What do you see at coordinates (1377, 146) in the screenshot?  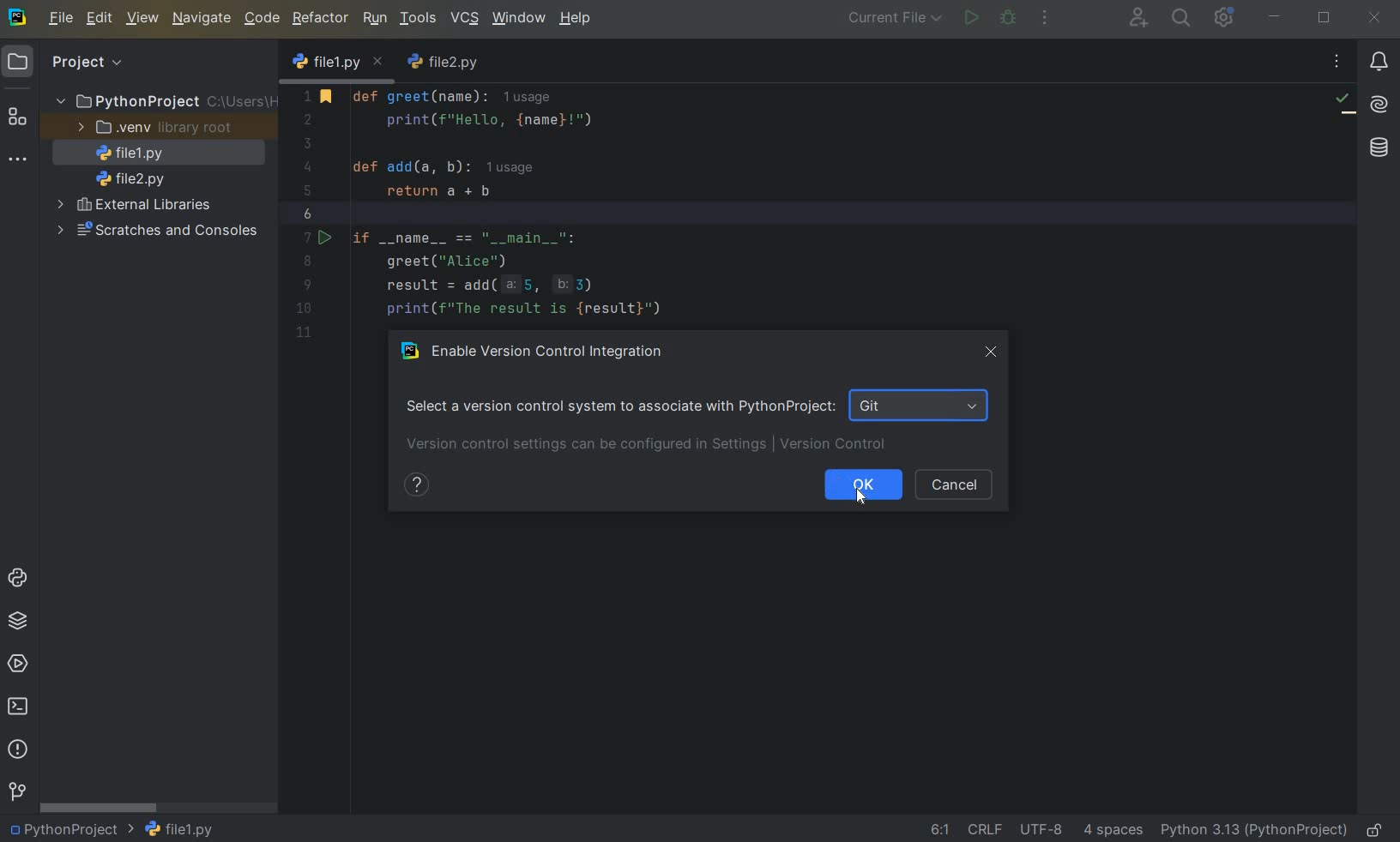 I see `database` at bounding box center [1377, 146].